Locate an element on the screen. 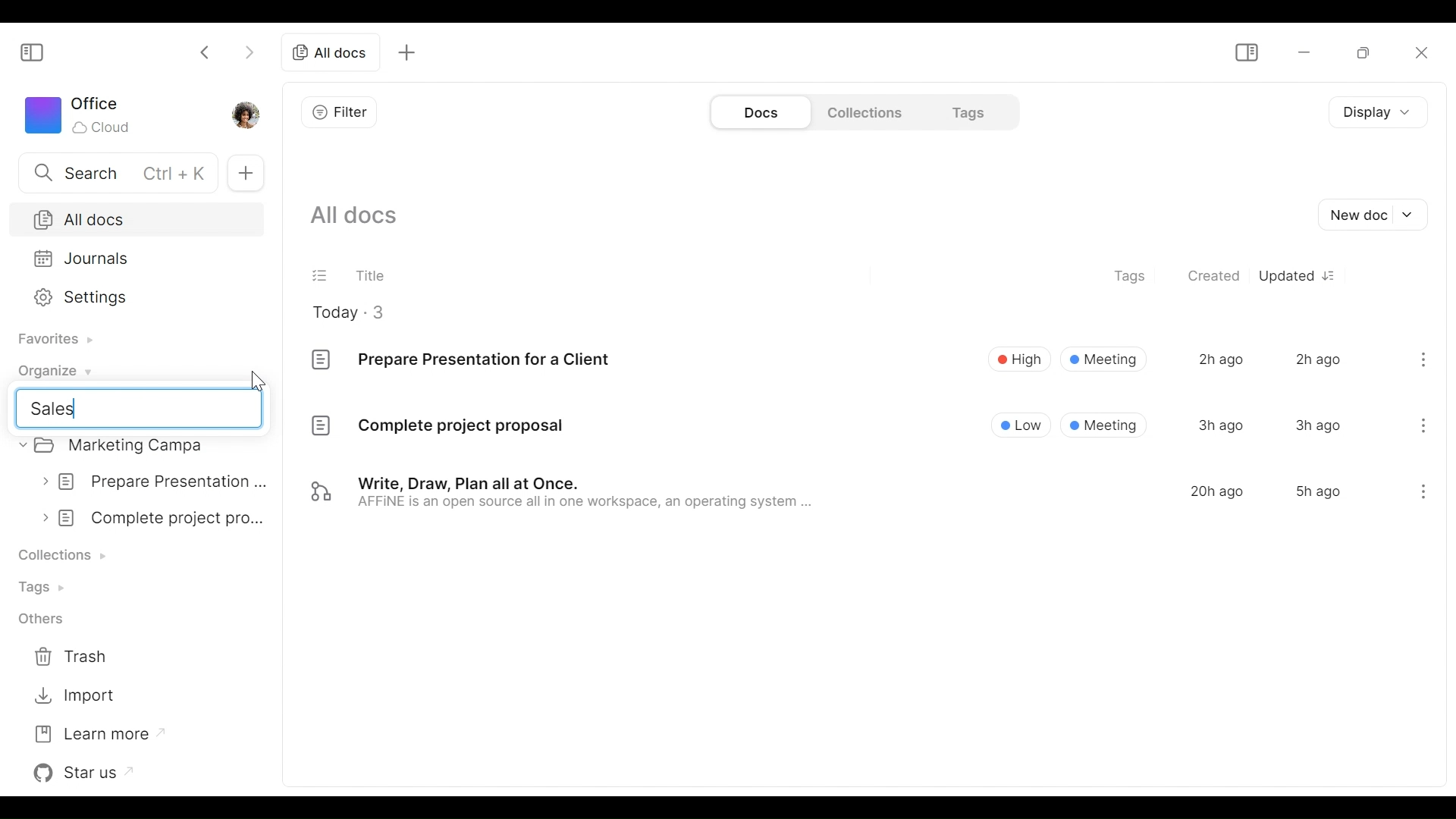 The image size is (1456, 819). prepare presentation is located at coordinates (156, 480).